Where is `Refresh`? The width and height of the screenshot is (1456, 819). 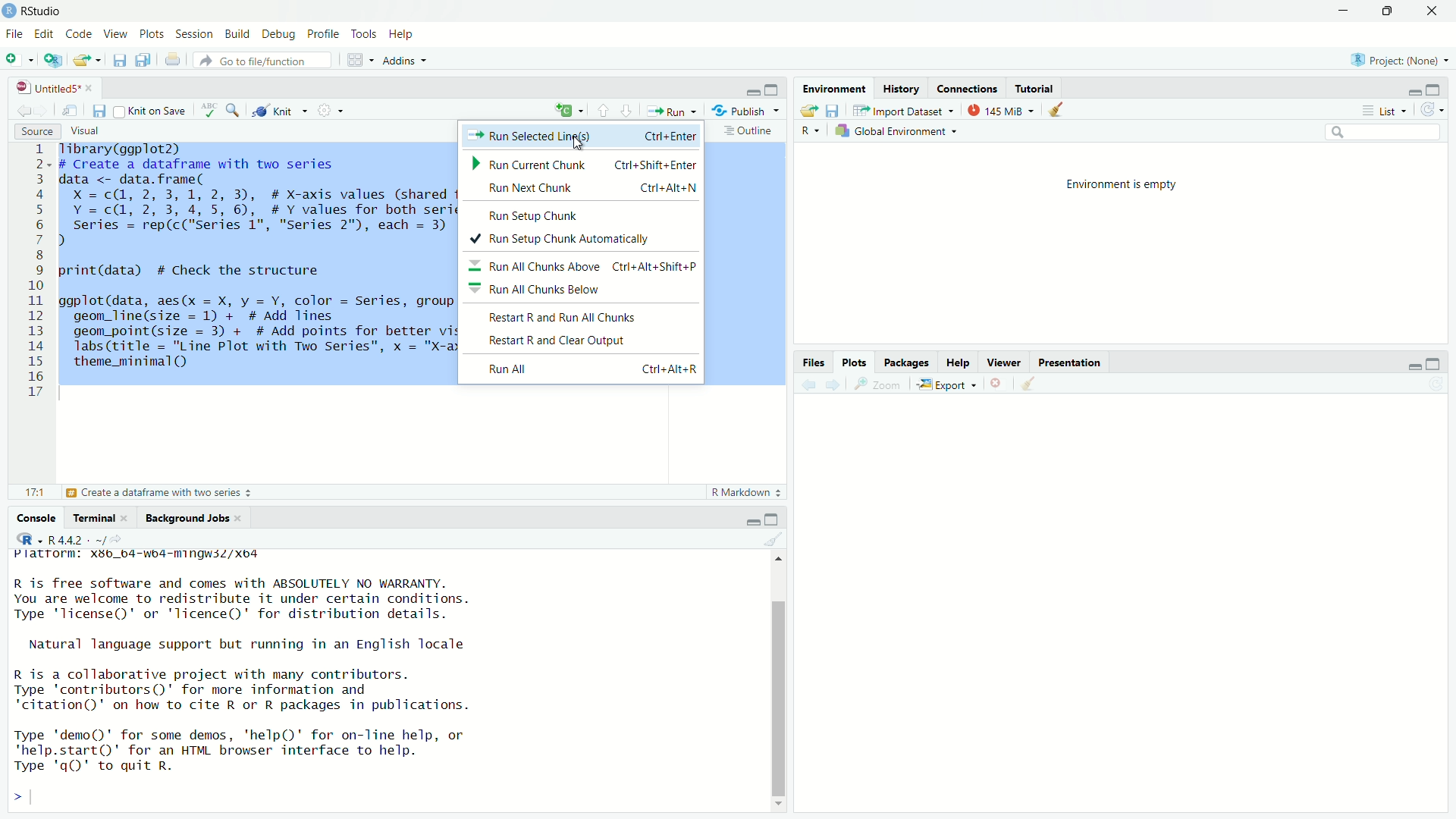 Refresh is located at coordinates (1435, 386).